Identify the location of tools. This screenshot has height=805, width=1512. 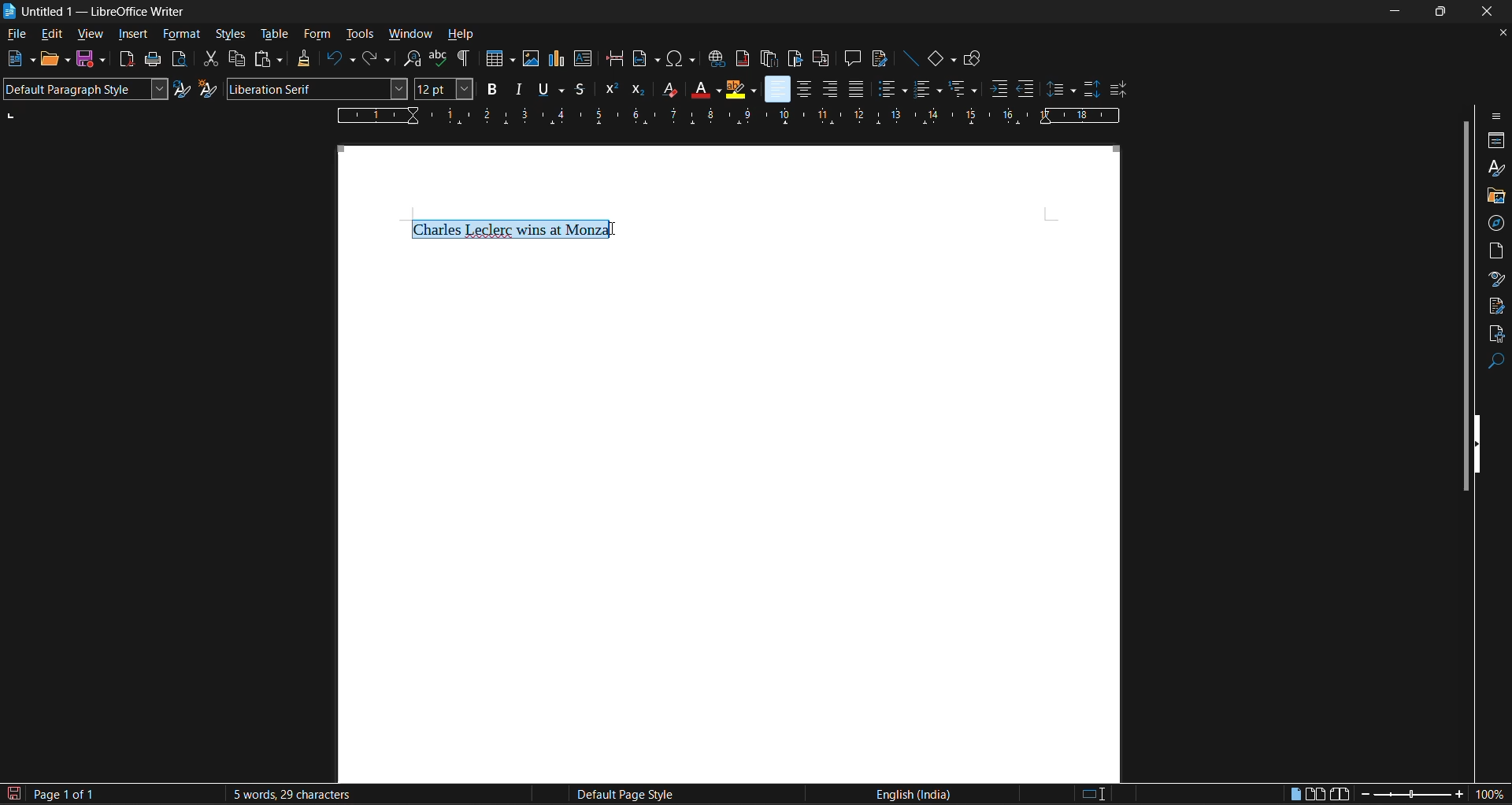
(358, 35).